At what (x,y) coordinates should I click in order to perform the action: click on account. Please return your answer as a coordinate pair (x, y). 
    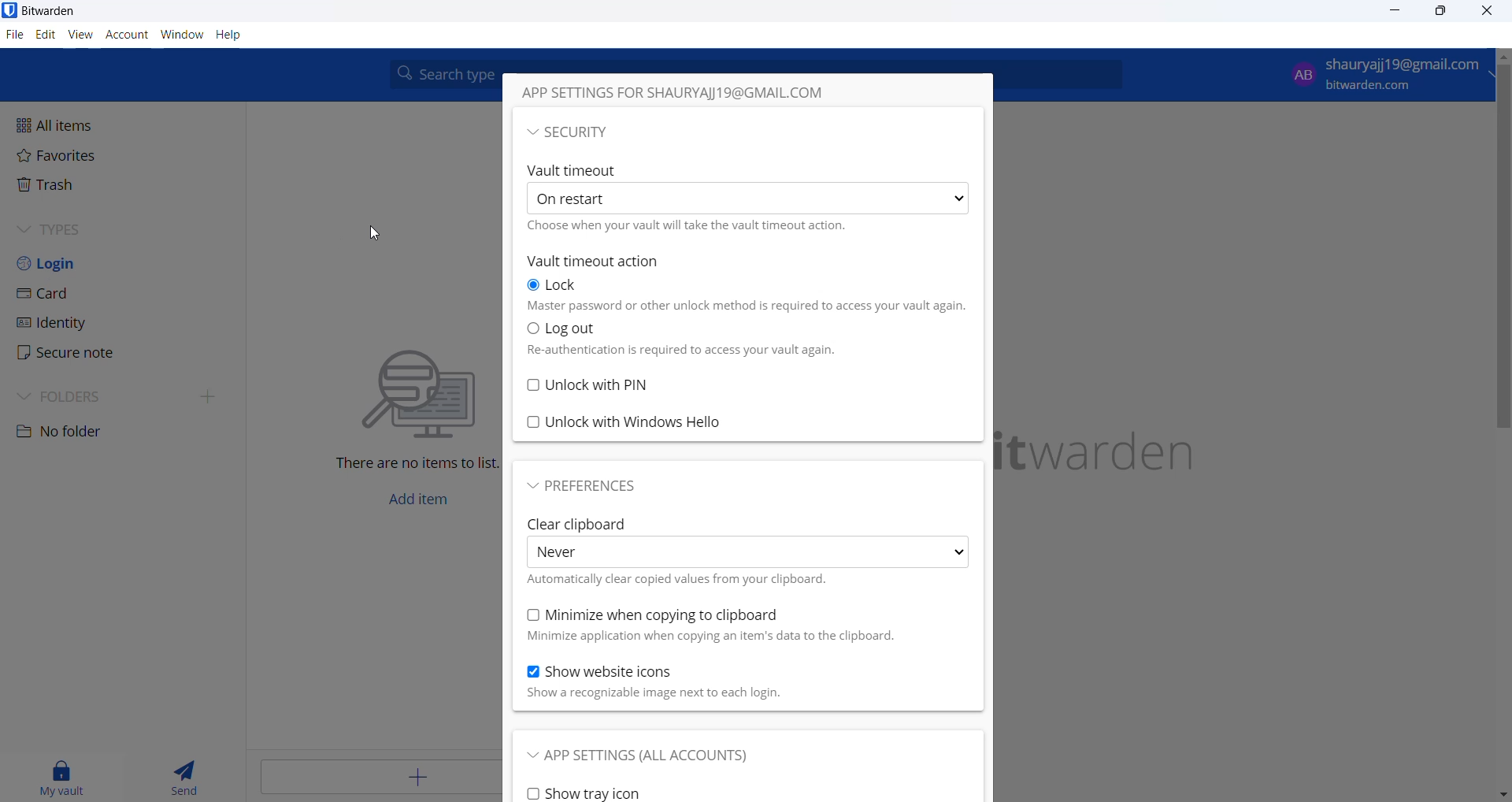
    Looking at the image, I should click on (126, 35).